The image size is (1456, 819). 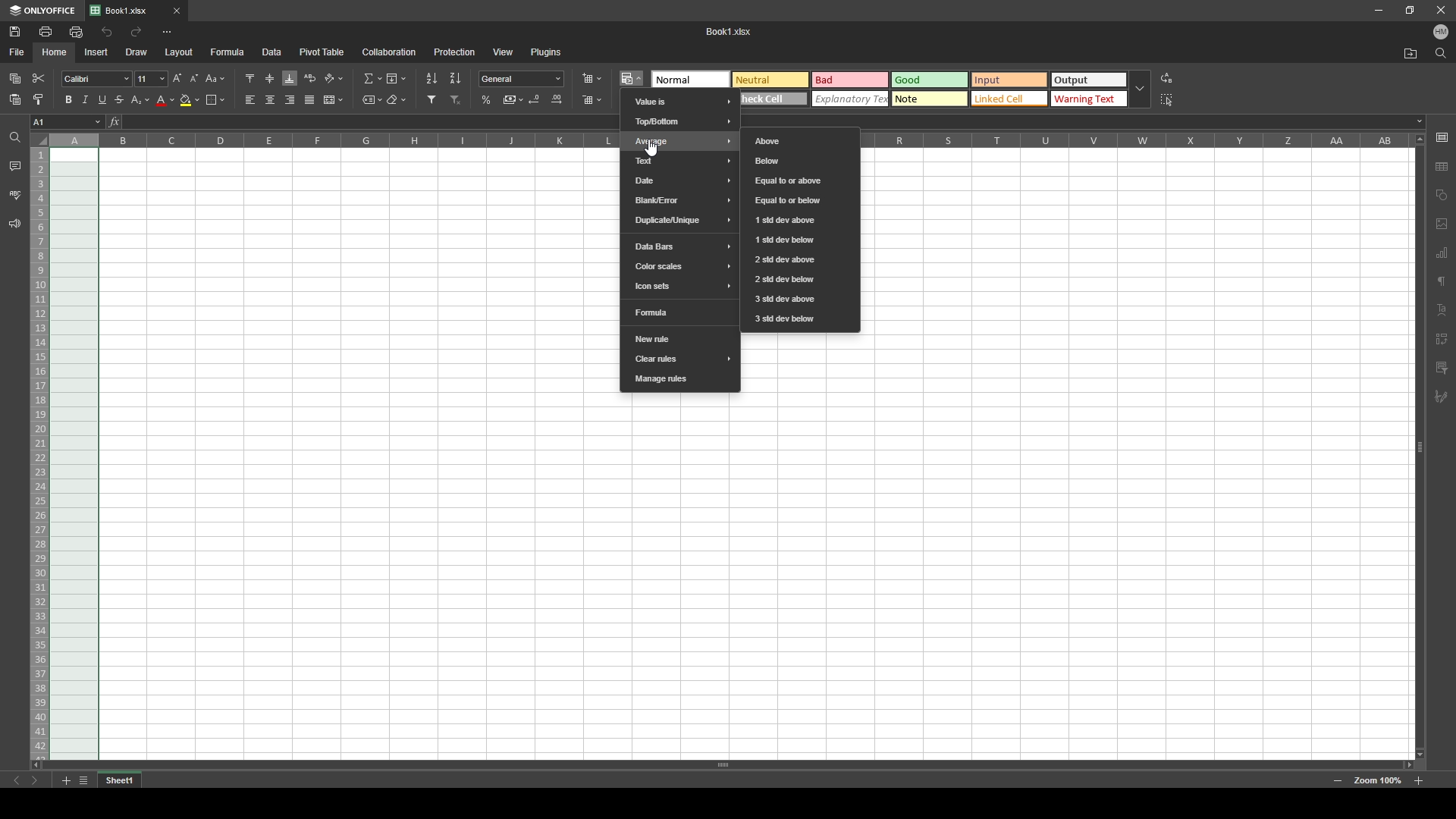 I want to click on align bottom, so click(x=290, y=78).